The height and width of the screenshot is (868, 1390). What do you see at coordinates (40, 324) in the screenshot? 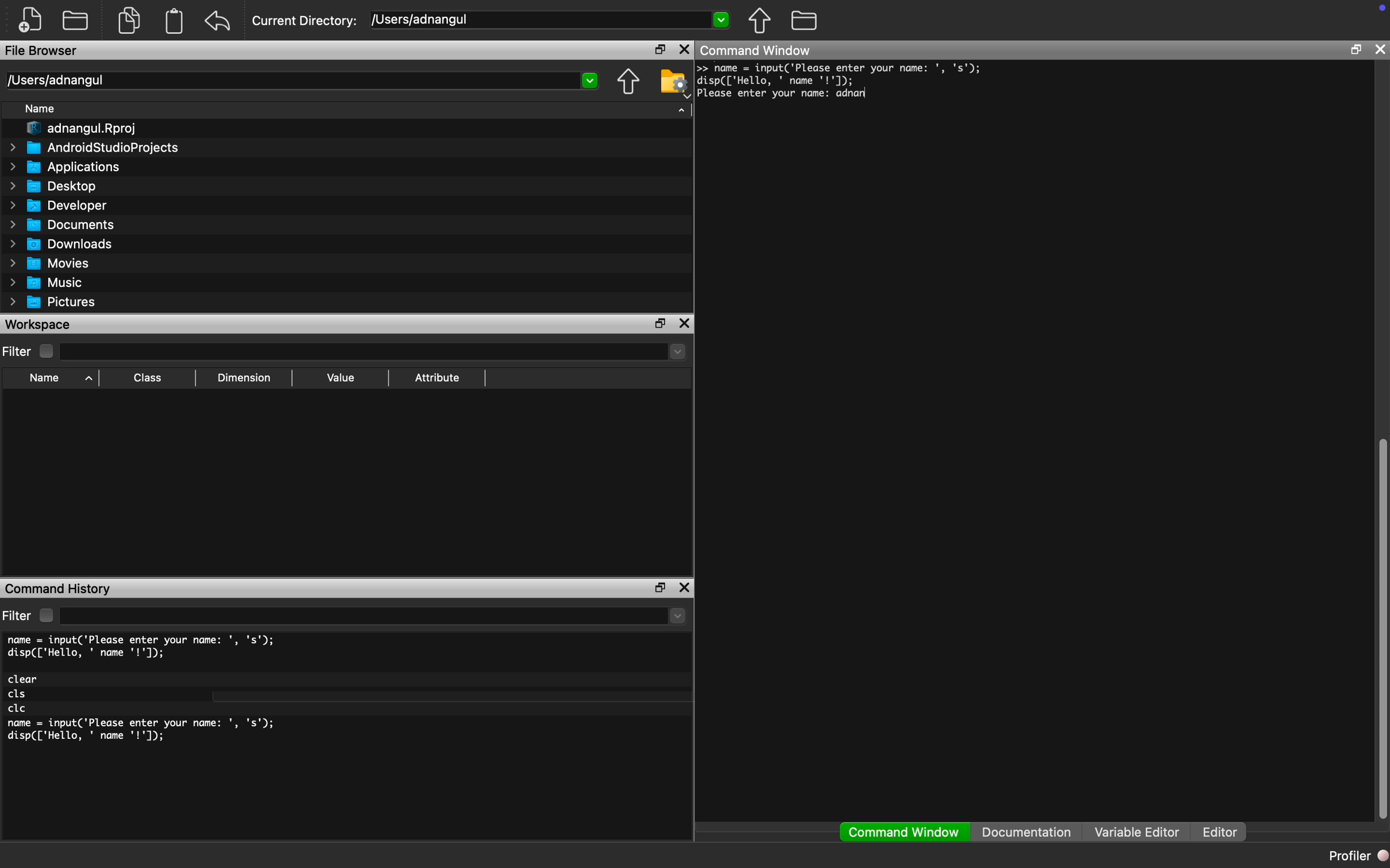
I see `Workplace` at bounding box center [40, 324].